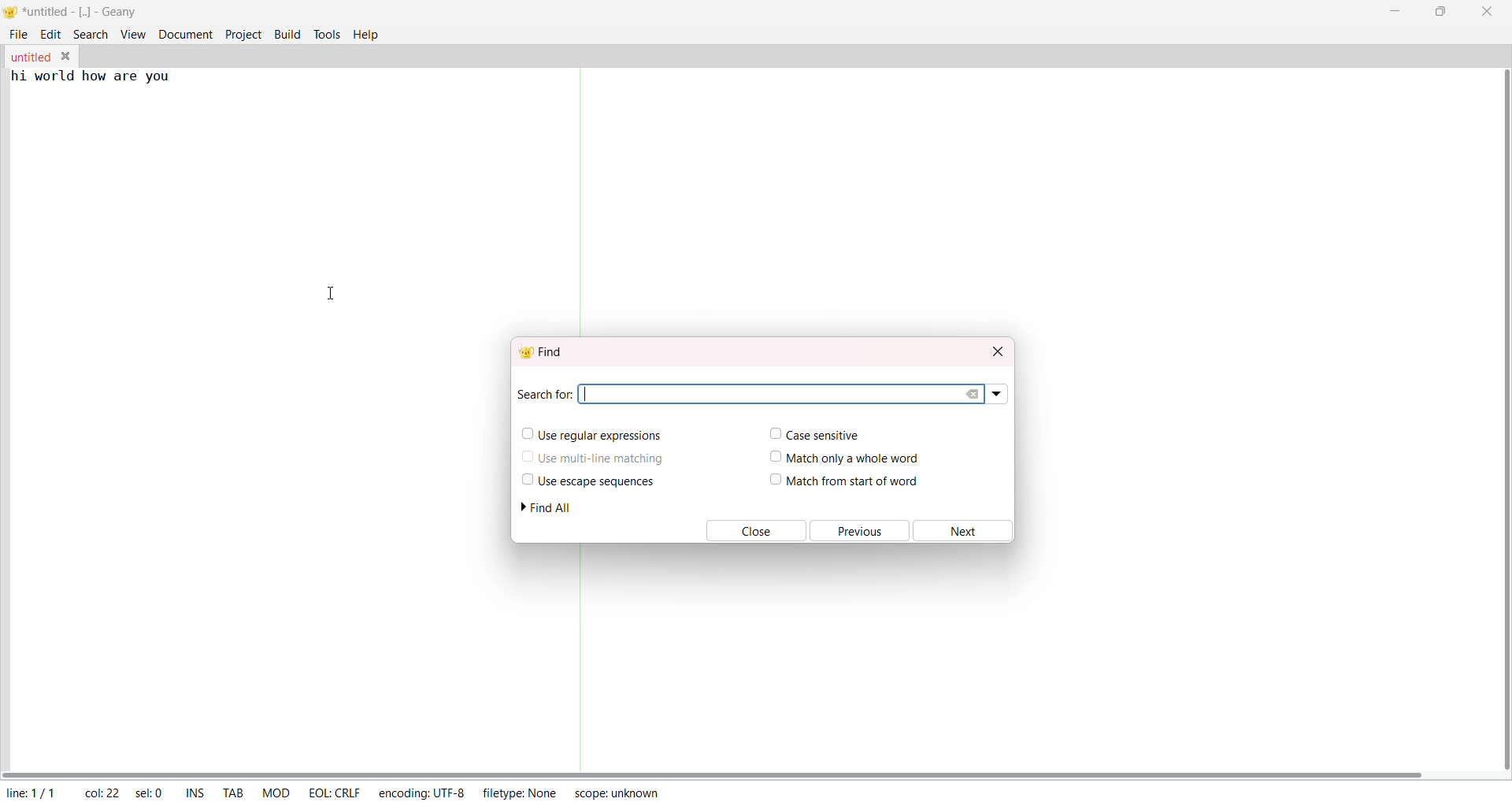 The height and width of the screenshot is (802, 1512). What do you see at coordinates (585, 483) in the screenshot?
I see `use escape sequence` at bounding box center [585, 483].